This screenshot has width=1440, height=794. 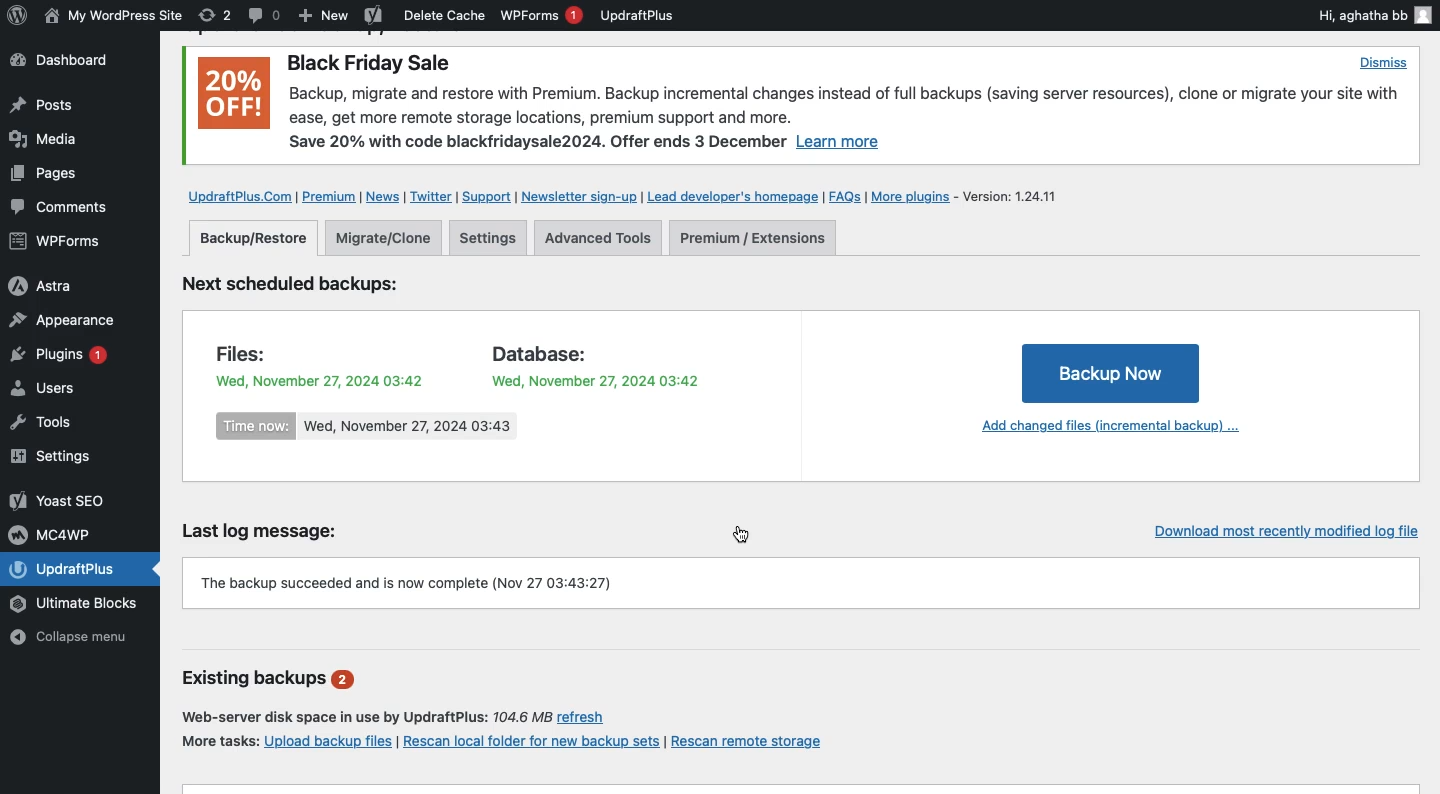 I want to click on Rescan remote storage, so click(x=751, y=741).